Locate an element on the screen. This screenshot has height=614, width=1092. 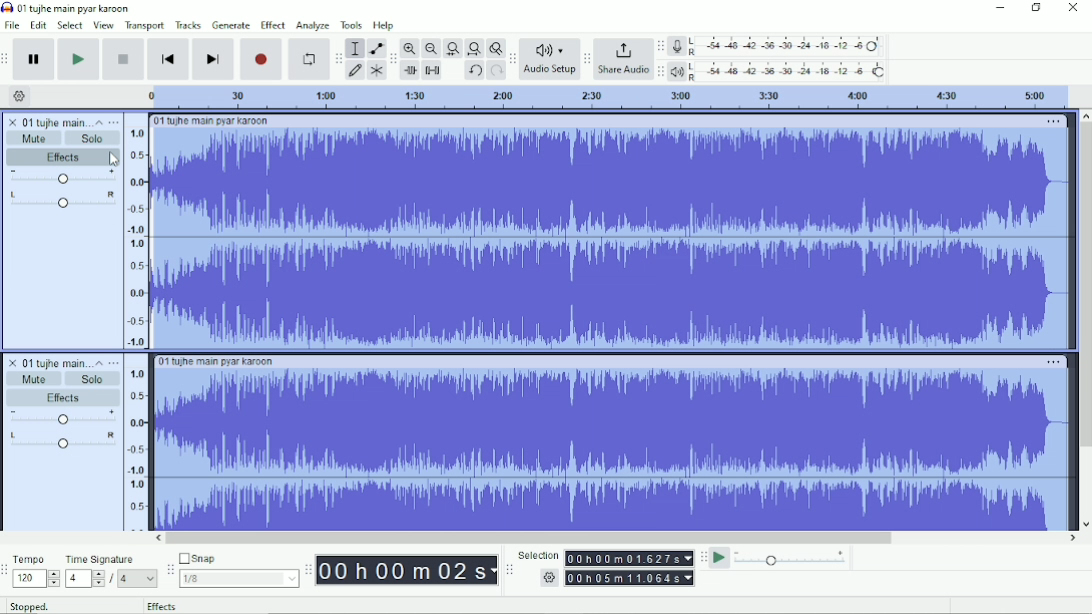
Skip to end is located at coordinates (213, 59).